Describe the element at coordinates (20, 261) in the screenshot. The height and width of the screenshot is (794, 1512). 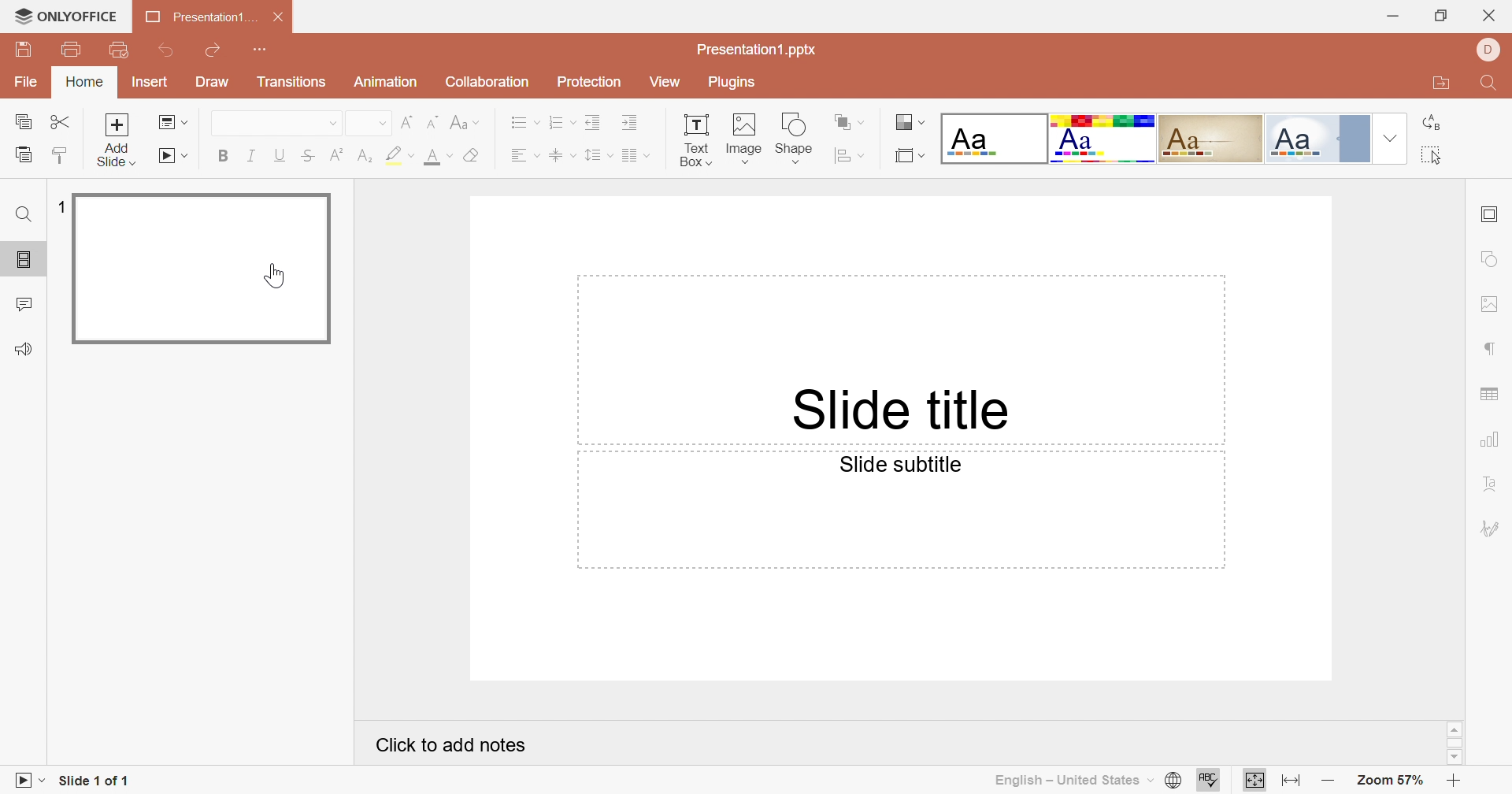
I see `Slides` at that location.